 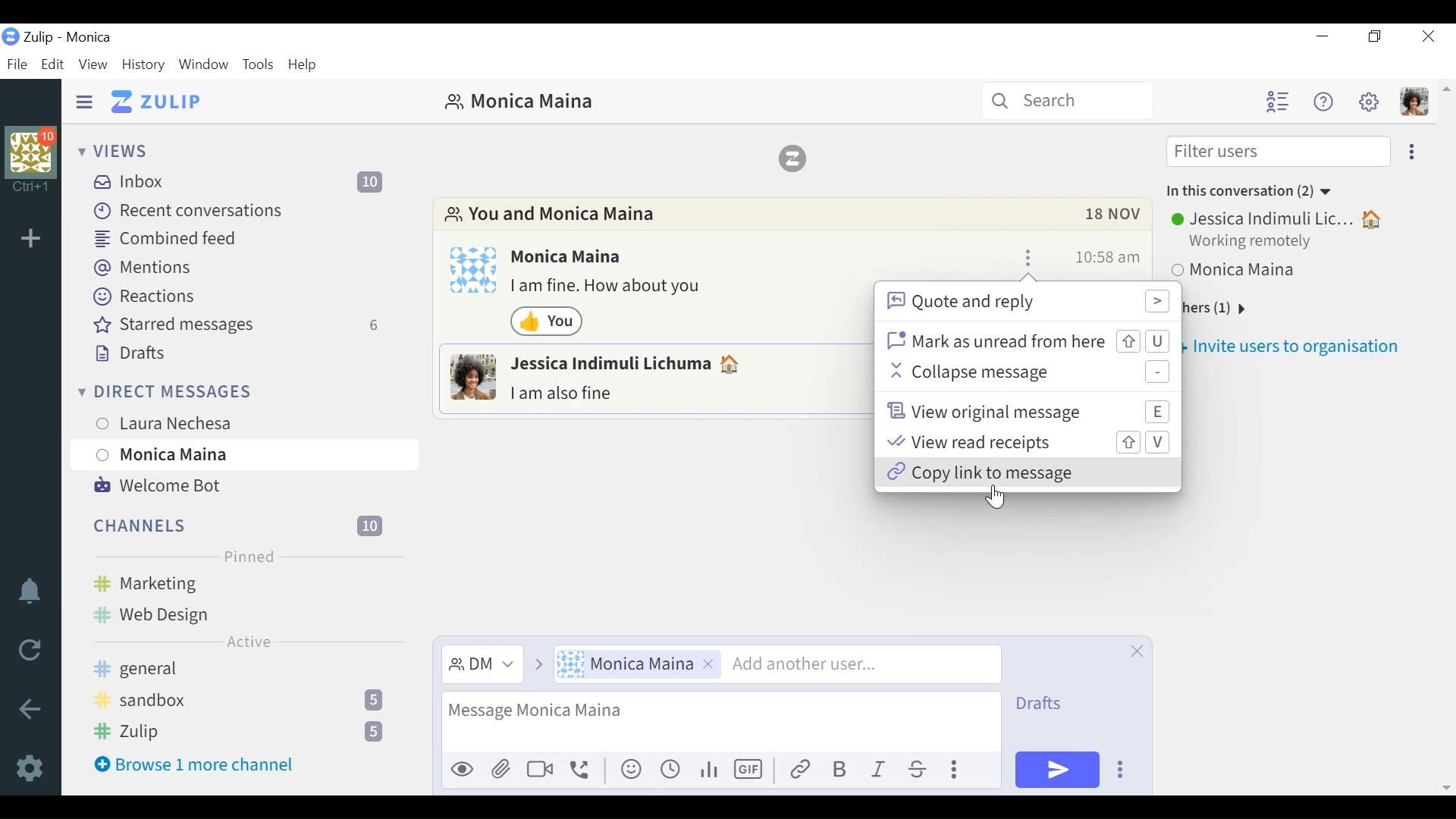 What do you see at coordinates (156, 101) in the screenshot?
I see `Go to Home View` at bounding box center [156, 101].